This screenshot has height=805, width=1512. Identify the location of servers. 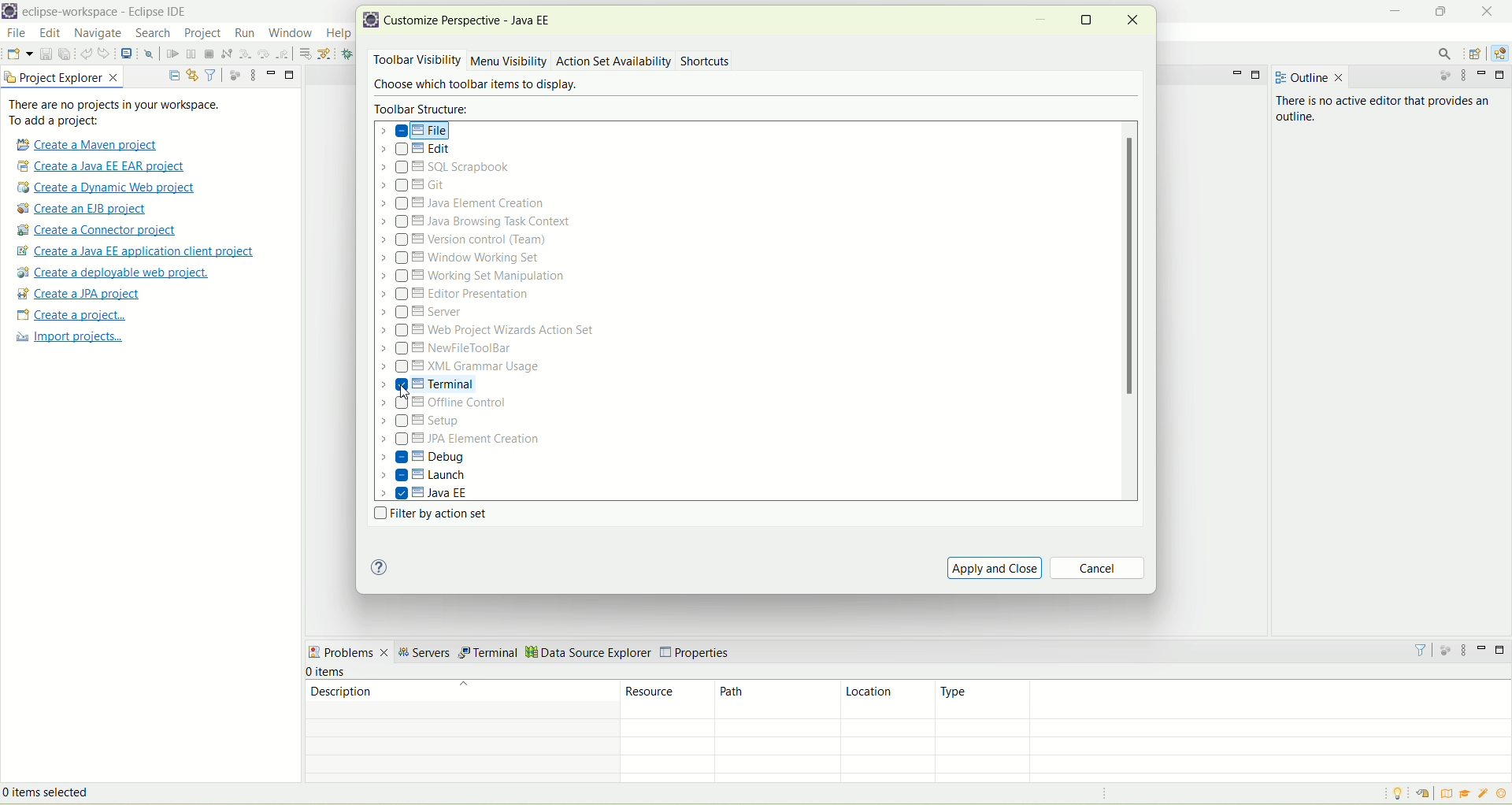
(423, 655).